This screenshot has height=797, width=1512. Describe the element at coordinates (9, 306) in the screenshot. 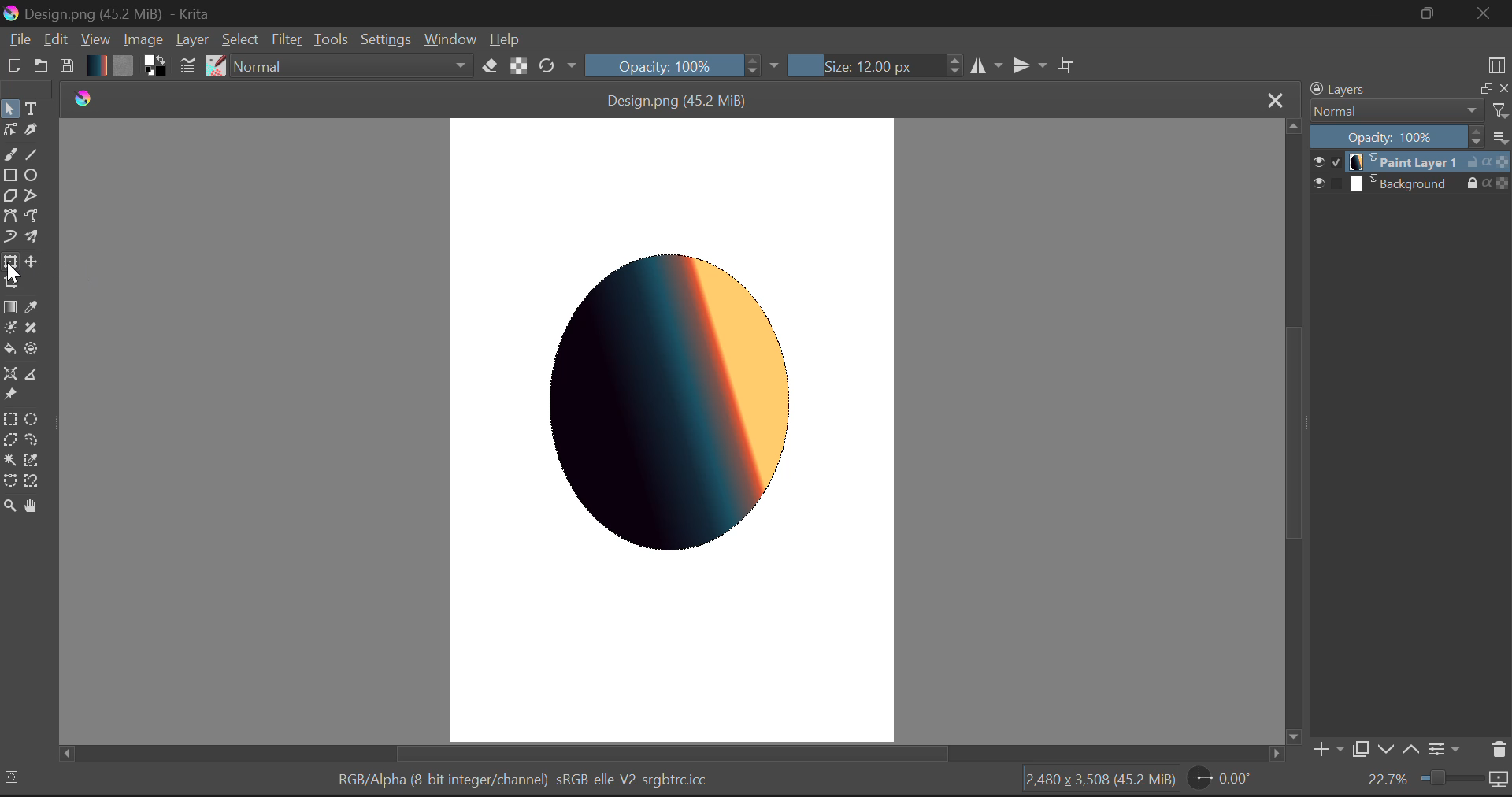

I see `Gradient Fill` at that location.